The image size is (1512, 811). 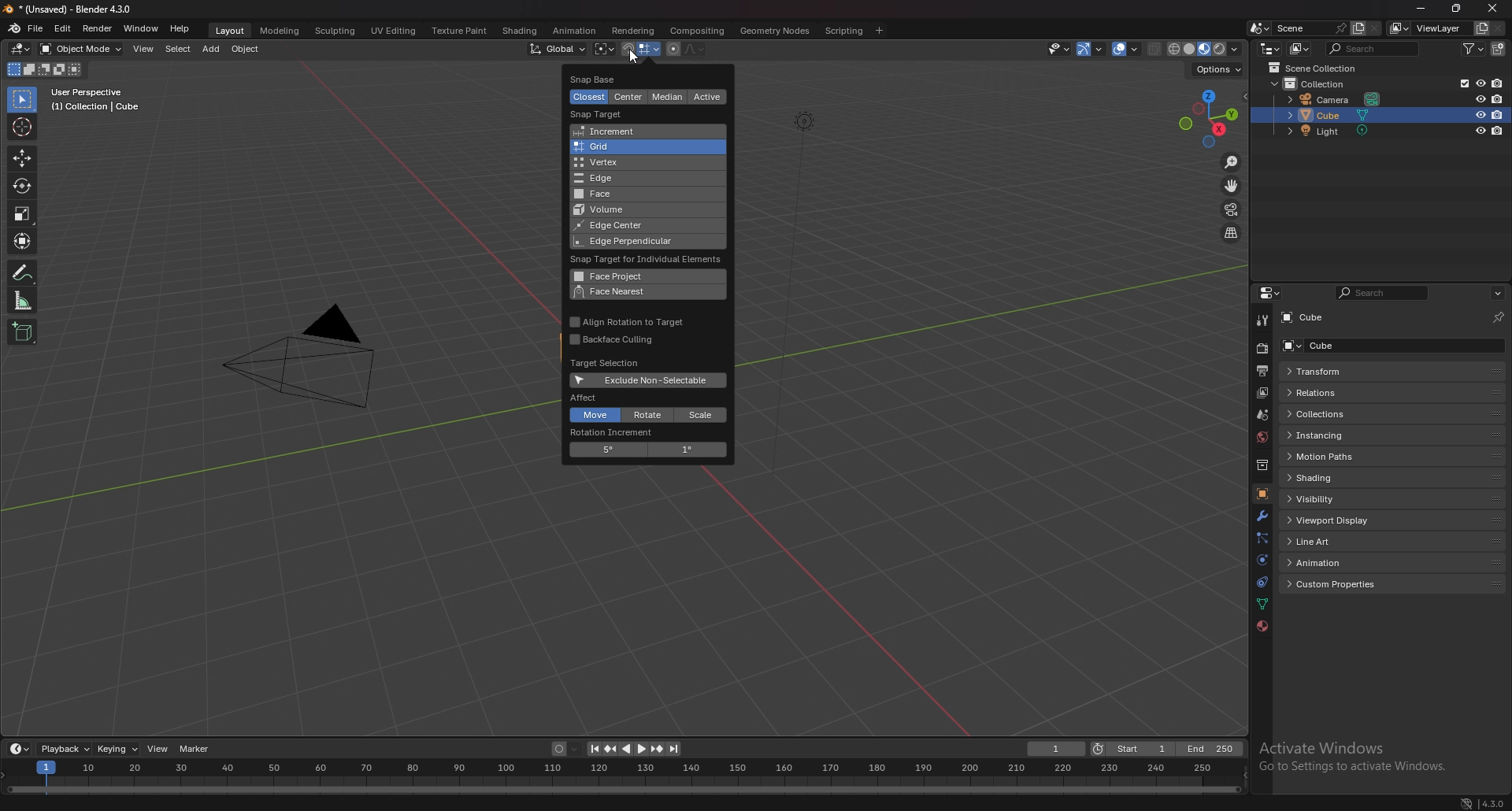 I want to click on center, so click(x=628, y=98).